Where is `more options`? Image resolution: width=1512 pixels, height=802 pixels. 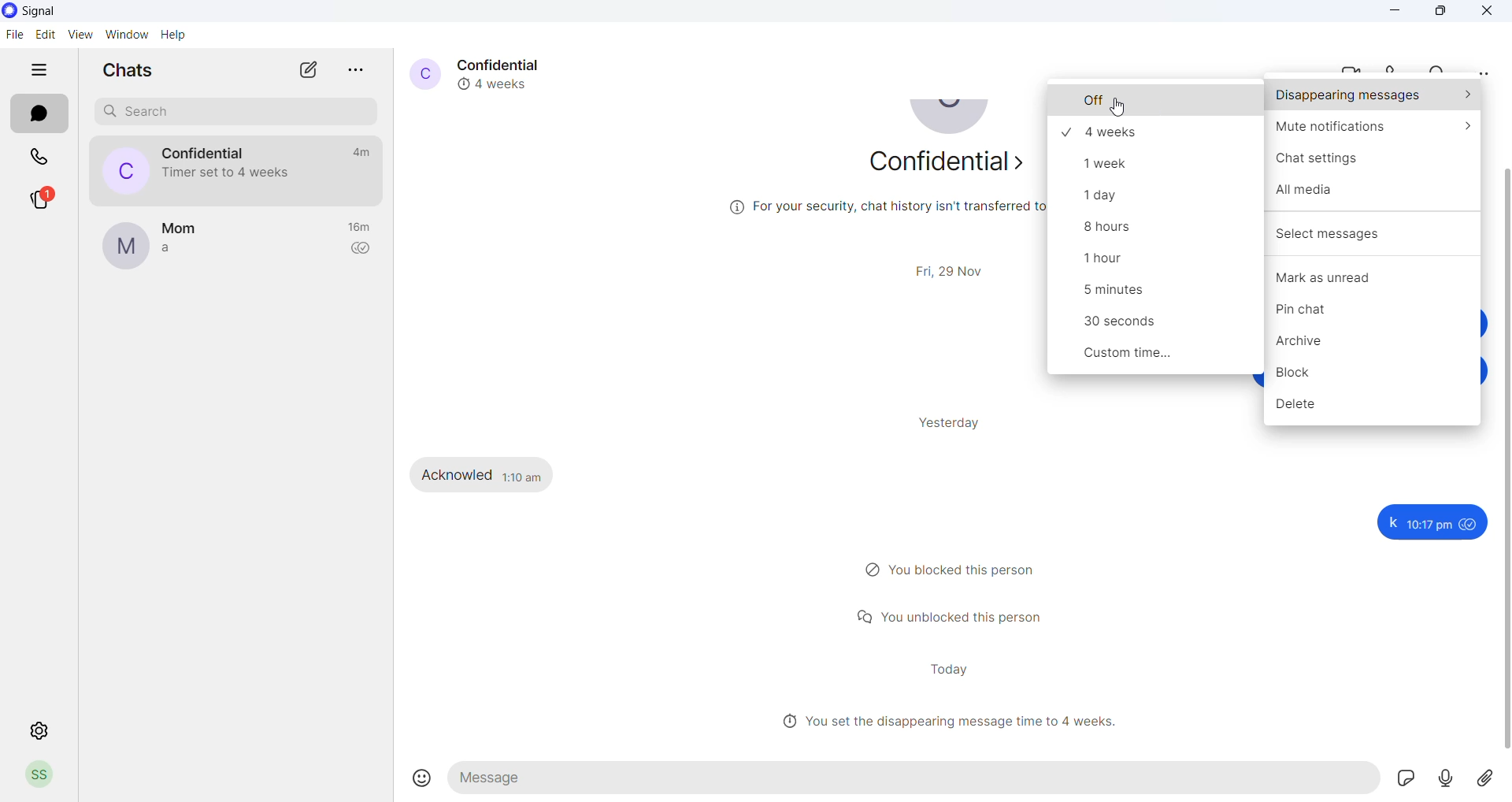 more options is located at coordinates (358, 69).